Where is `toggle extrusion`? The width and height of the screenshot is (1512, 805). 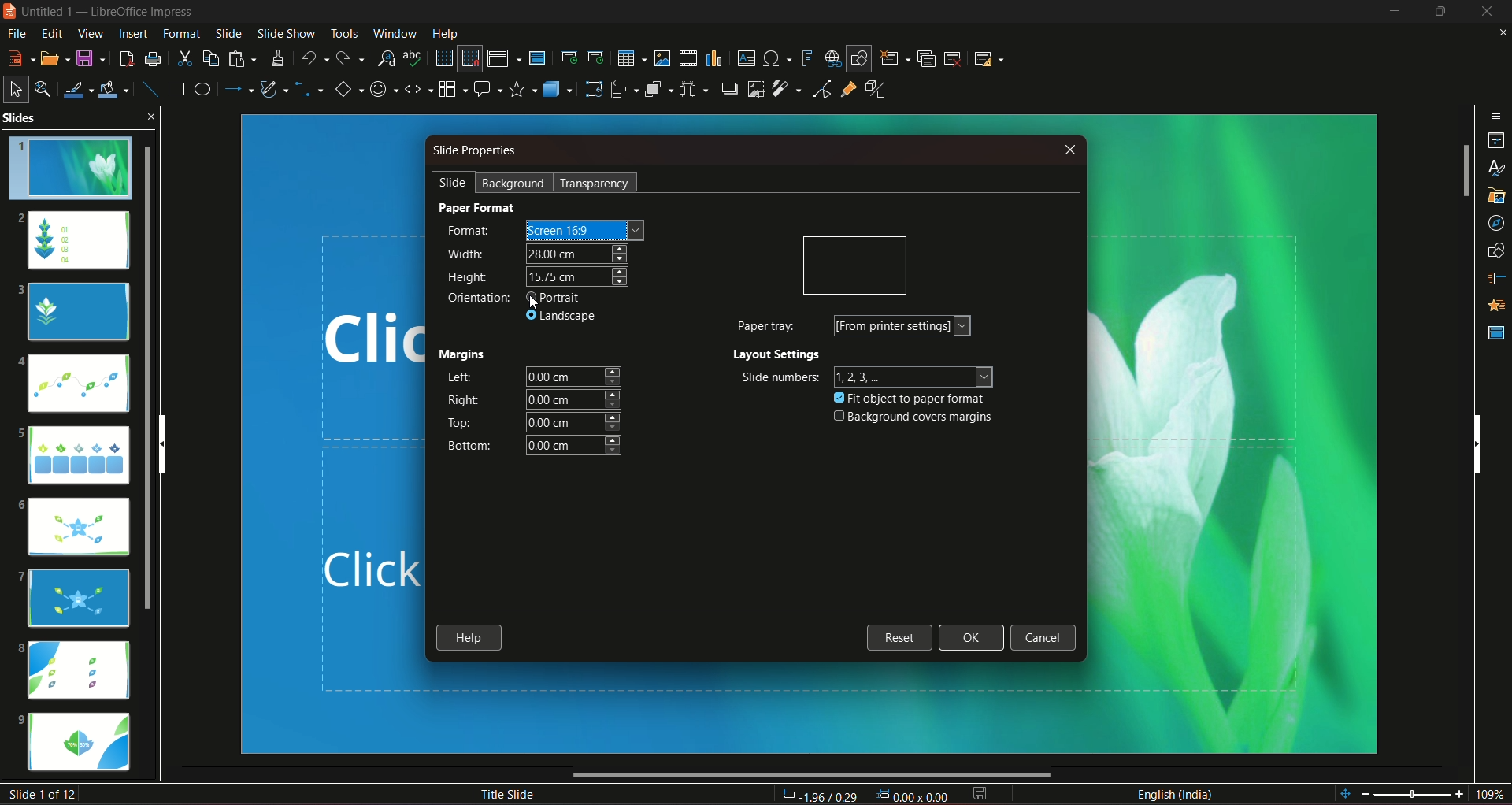 toggle extrusion is located at coordinates (876, 91).